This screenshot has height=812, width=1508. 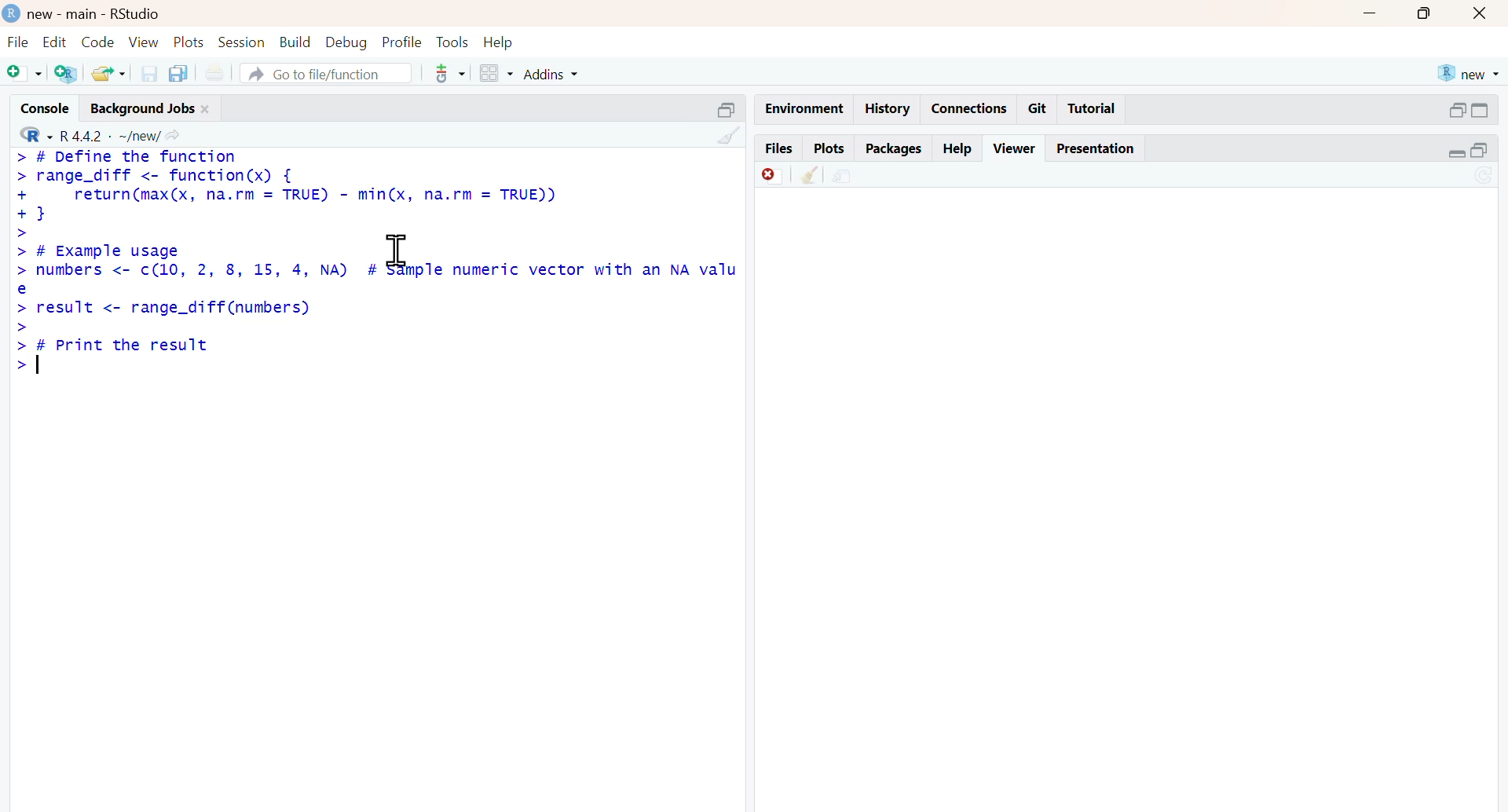 I want to click on copy, so click(x=178, y=73).